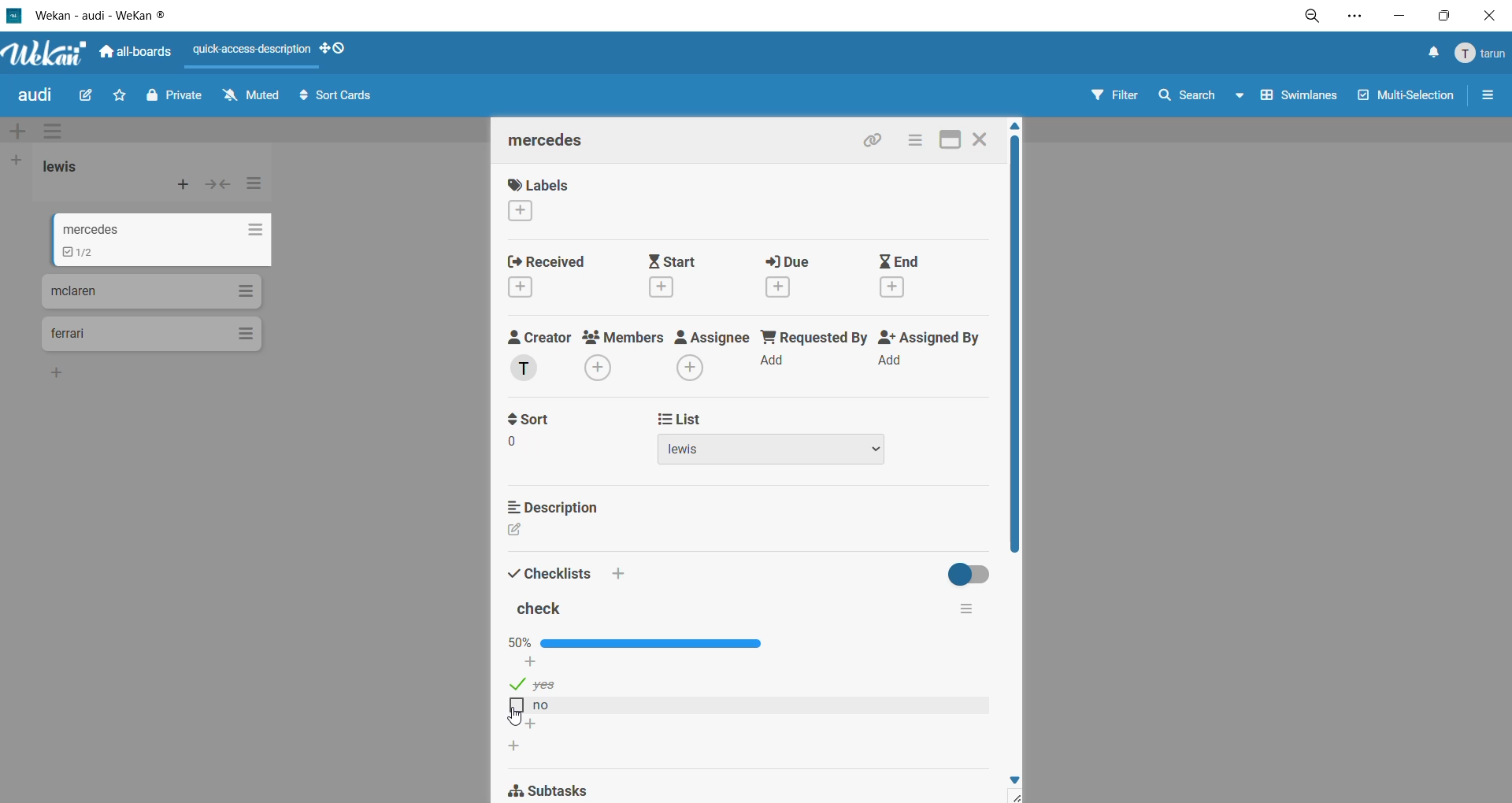 The width and height of the screenshot is (1512, 803). What do you see at coordinates (168, 240) in the screenshot?
I see `cards` at bounding box center [168, 240].